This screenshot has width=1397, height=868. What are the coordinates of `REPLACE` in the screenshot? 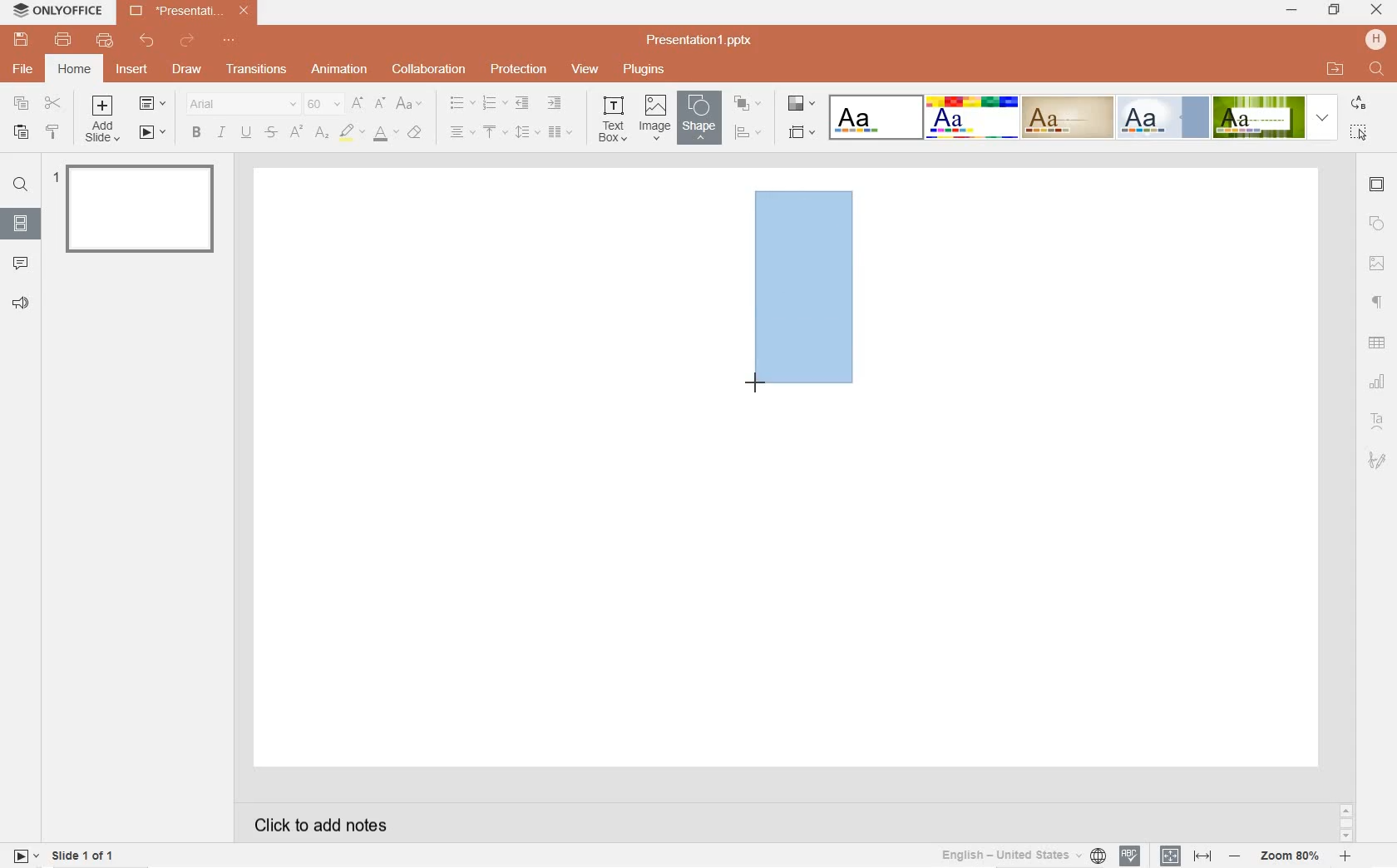 It's located at (1358, 104).